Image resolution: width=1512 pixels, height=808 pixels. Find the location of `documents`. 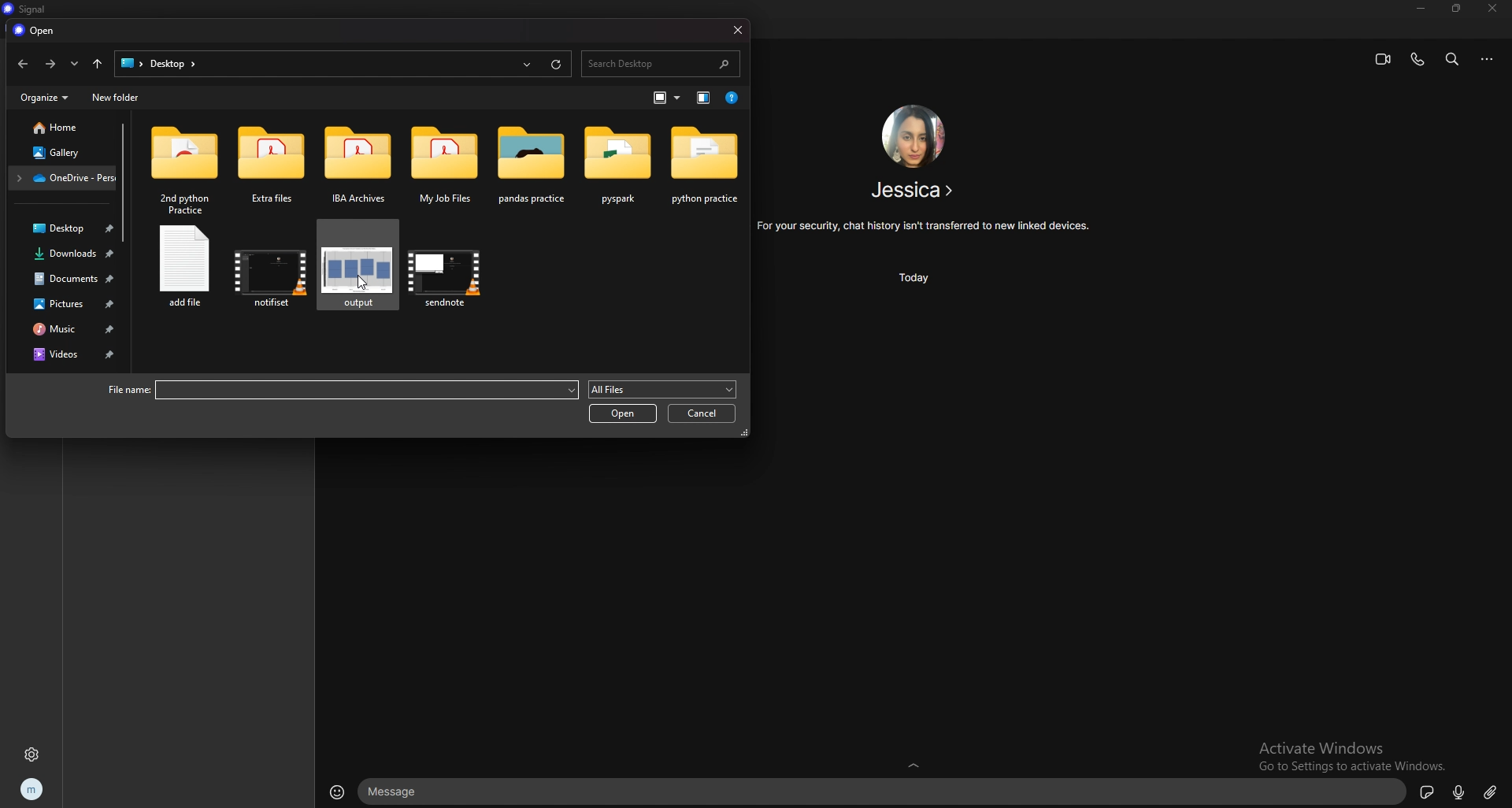

documents is located at coordinates (64, 278).